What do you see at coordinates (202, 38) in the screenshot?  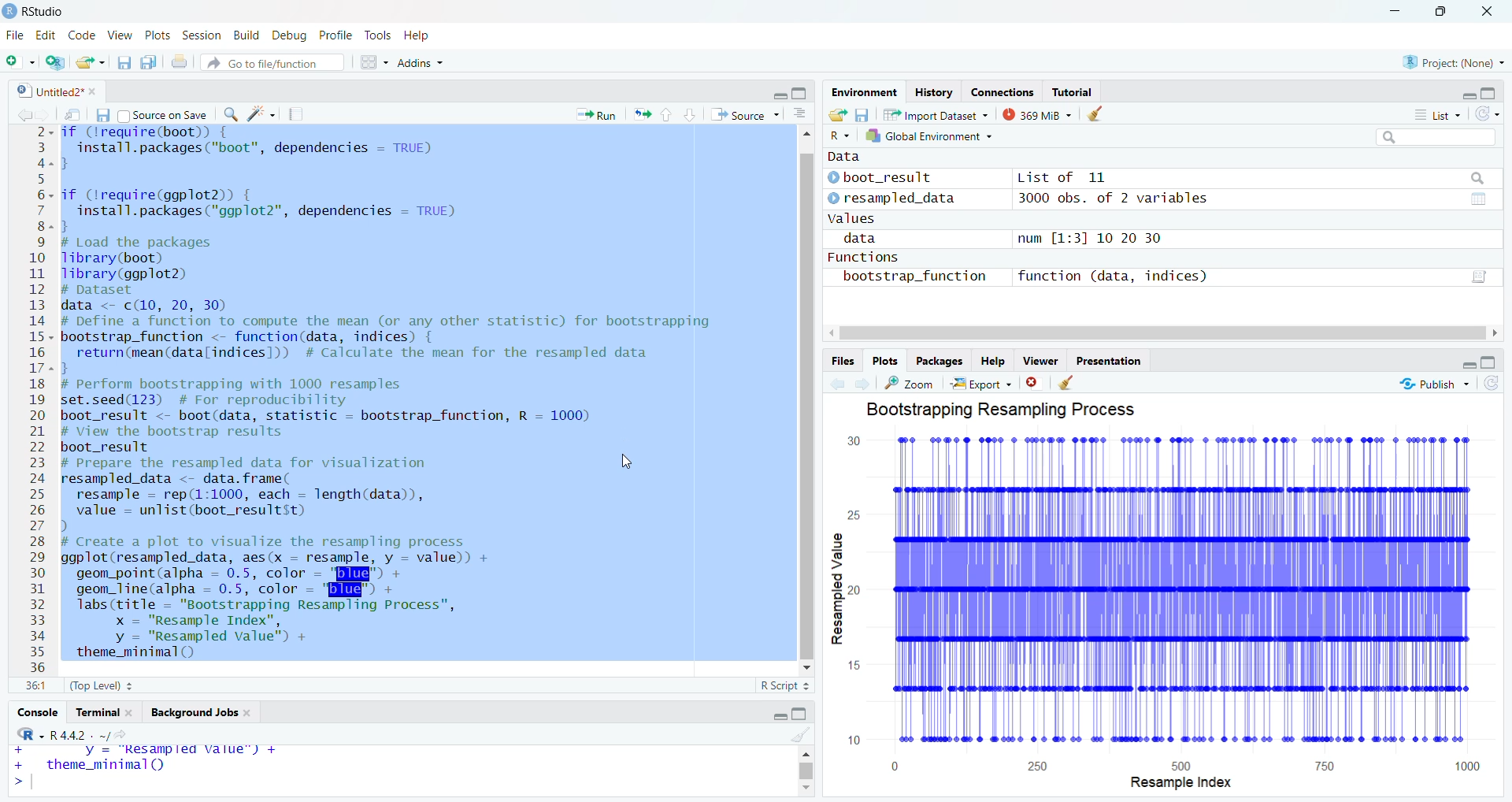 I see `Session` at bounding box center [202, 38].